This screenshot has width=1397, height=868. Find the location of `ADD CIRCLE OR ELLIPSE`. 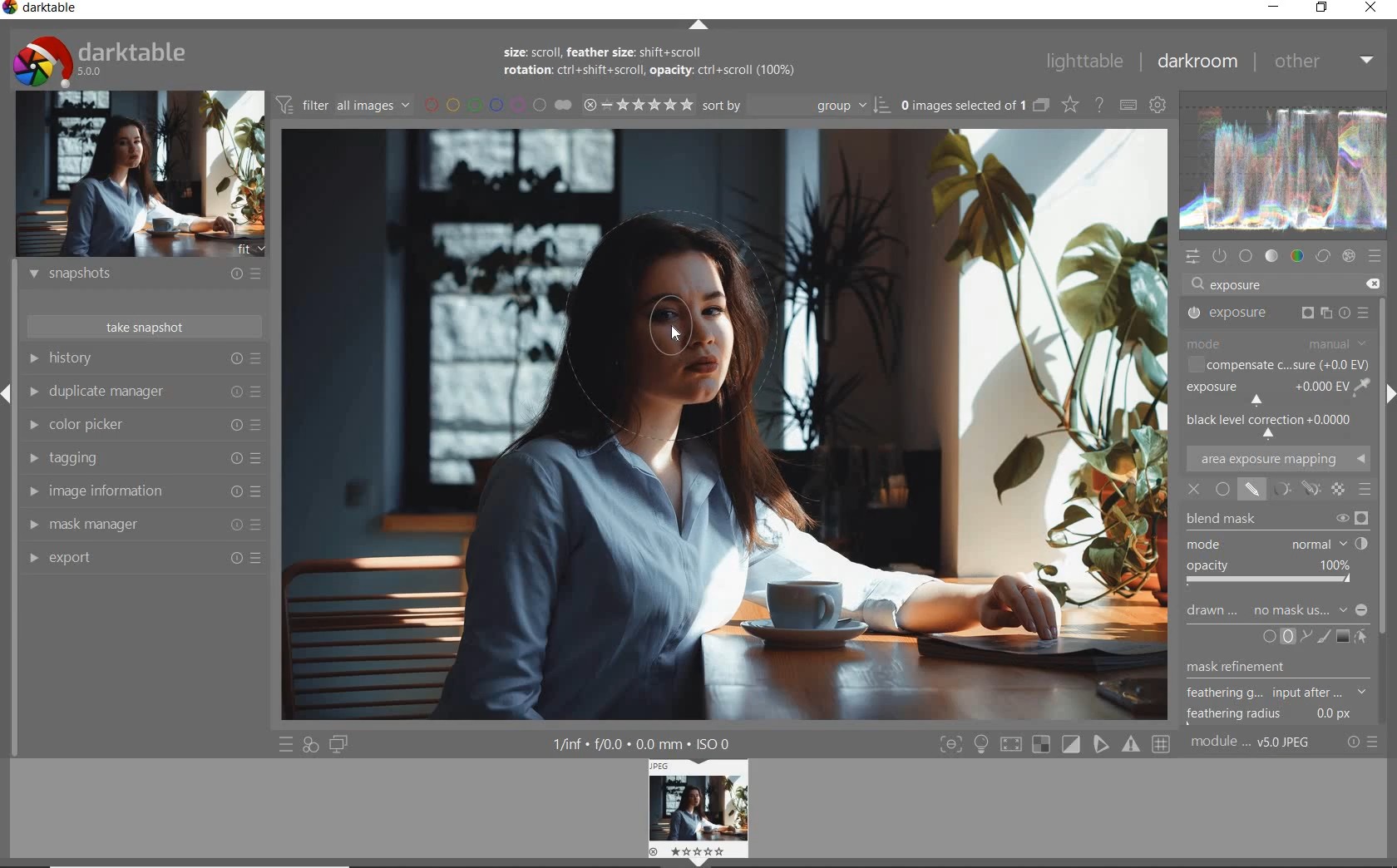

ADD CIRCLE OR ELLIPSE is located at coordinates (1278, 638).